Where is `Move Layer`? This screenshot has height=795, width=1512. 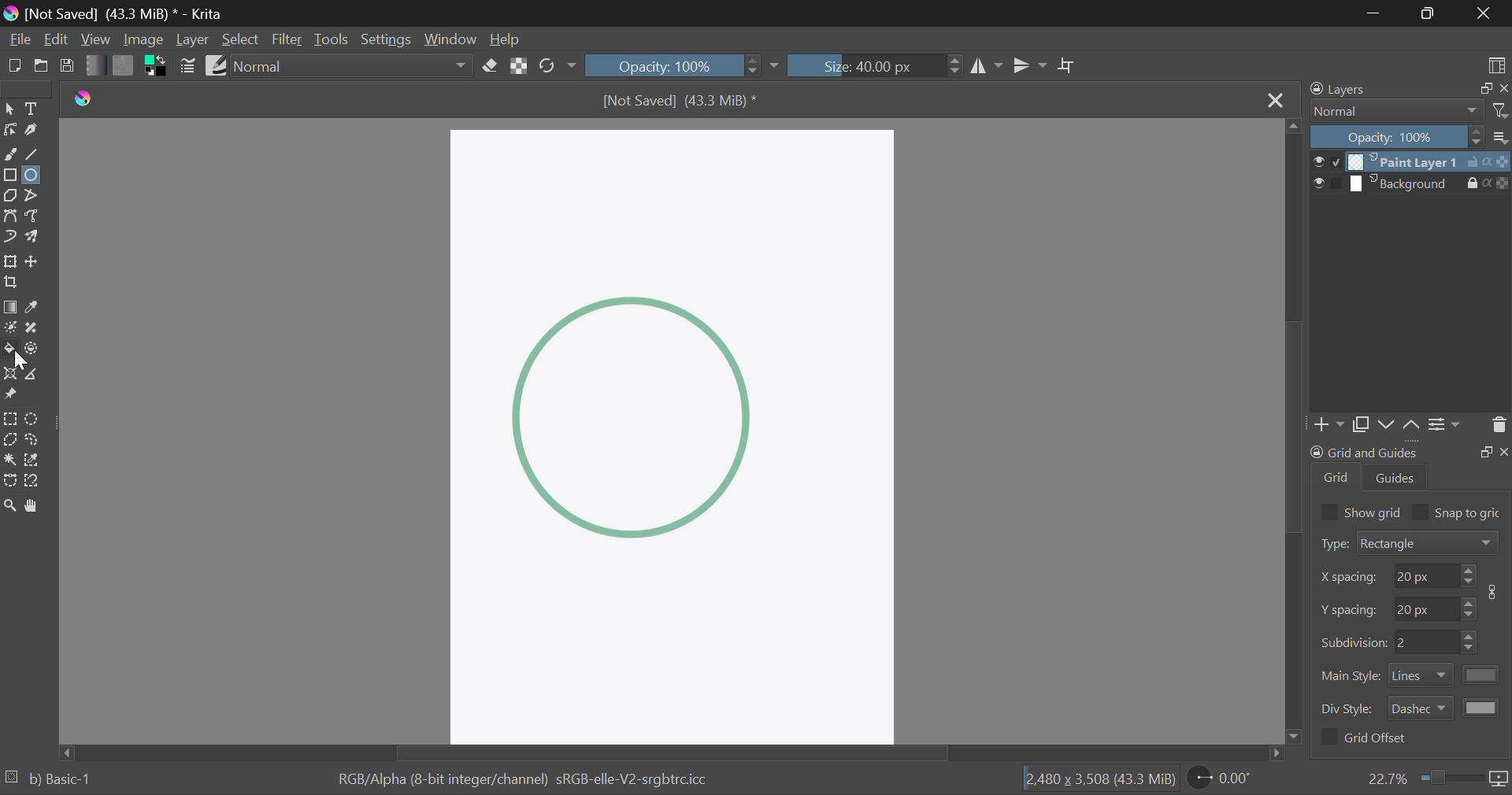
Move Layer is located at coordinates (34, 262).